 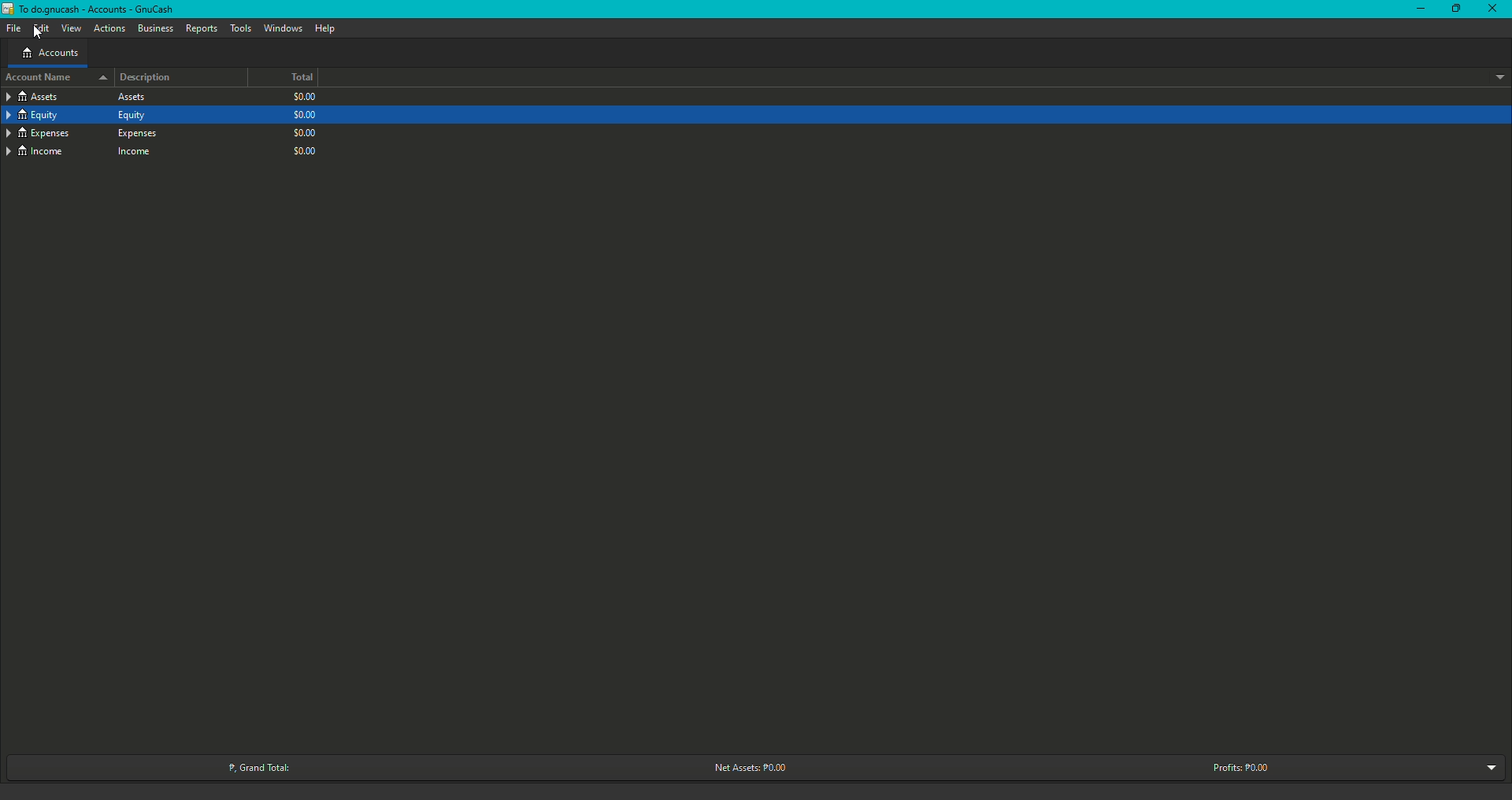 What do you see at coordinates (201, 28) in the screenshot?
I see `Reports` at bounding box center [201, 28].